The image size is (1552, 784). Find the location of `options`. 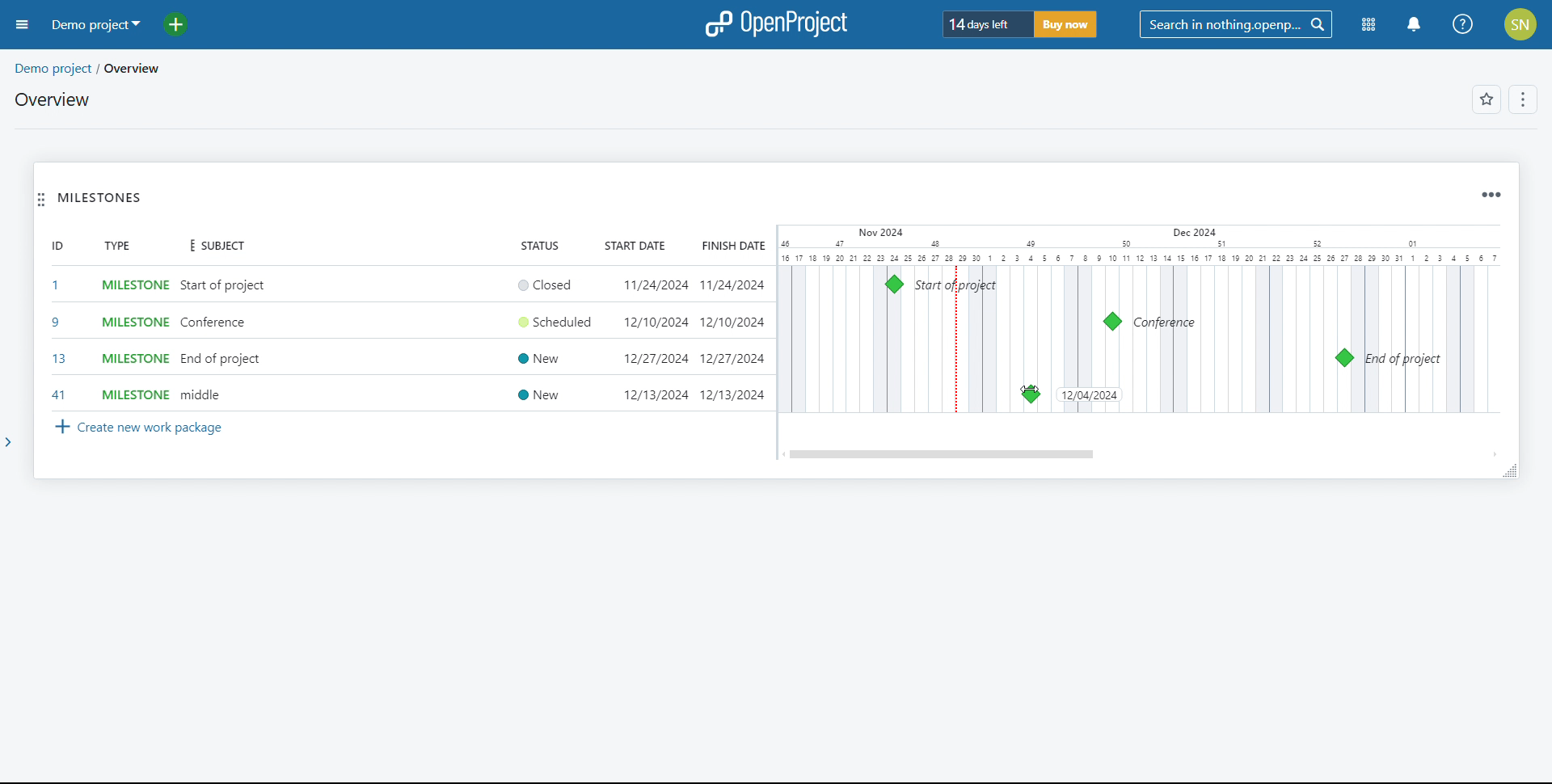

options is located at coordinates (1525, 100).